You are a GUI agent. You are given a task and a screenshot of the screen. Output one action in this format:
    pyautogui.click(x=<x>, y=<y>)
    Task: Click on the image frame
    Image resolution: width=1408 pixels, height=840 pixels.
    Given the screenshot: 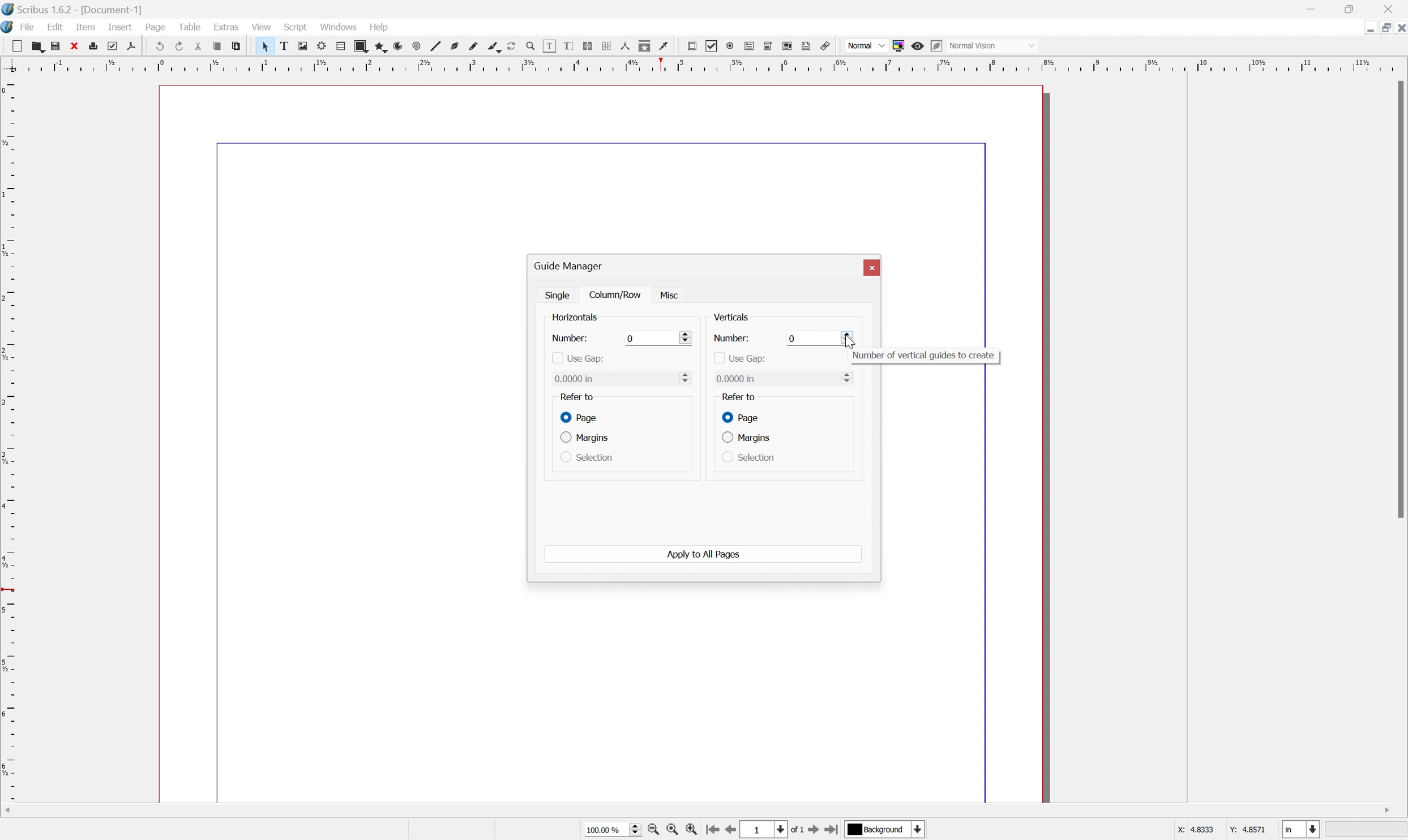 What is the action you would take?
    pyautogui.click(x=302, y=45)
    